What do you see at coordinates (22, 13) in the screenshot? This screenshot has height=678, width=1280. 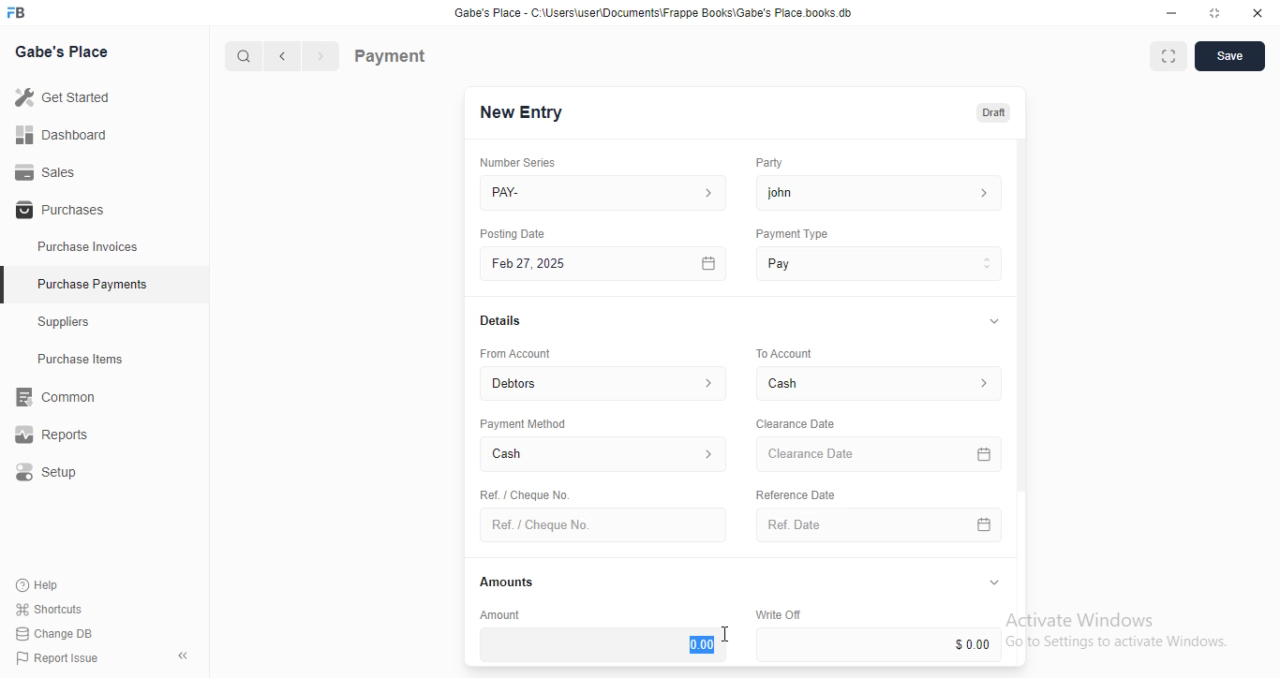 I see `logo` at bounding box center [22, 13].